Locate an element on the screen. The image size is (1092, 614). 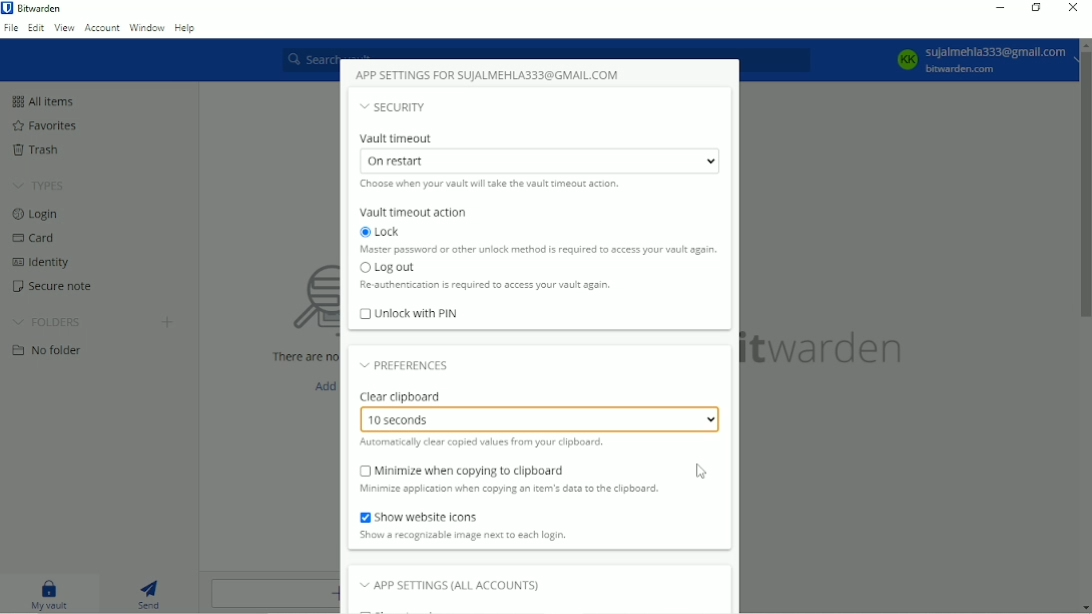
Help is located at coordinates (185, 27).